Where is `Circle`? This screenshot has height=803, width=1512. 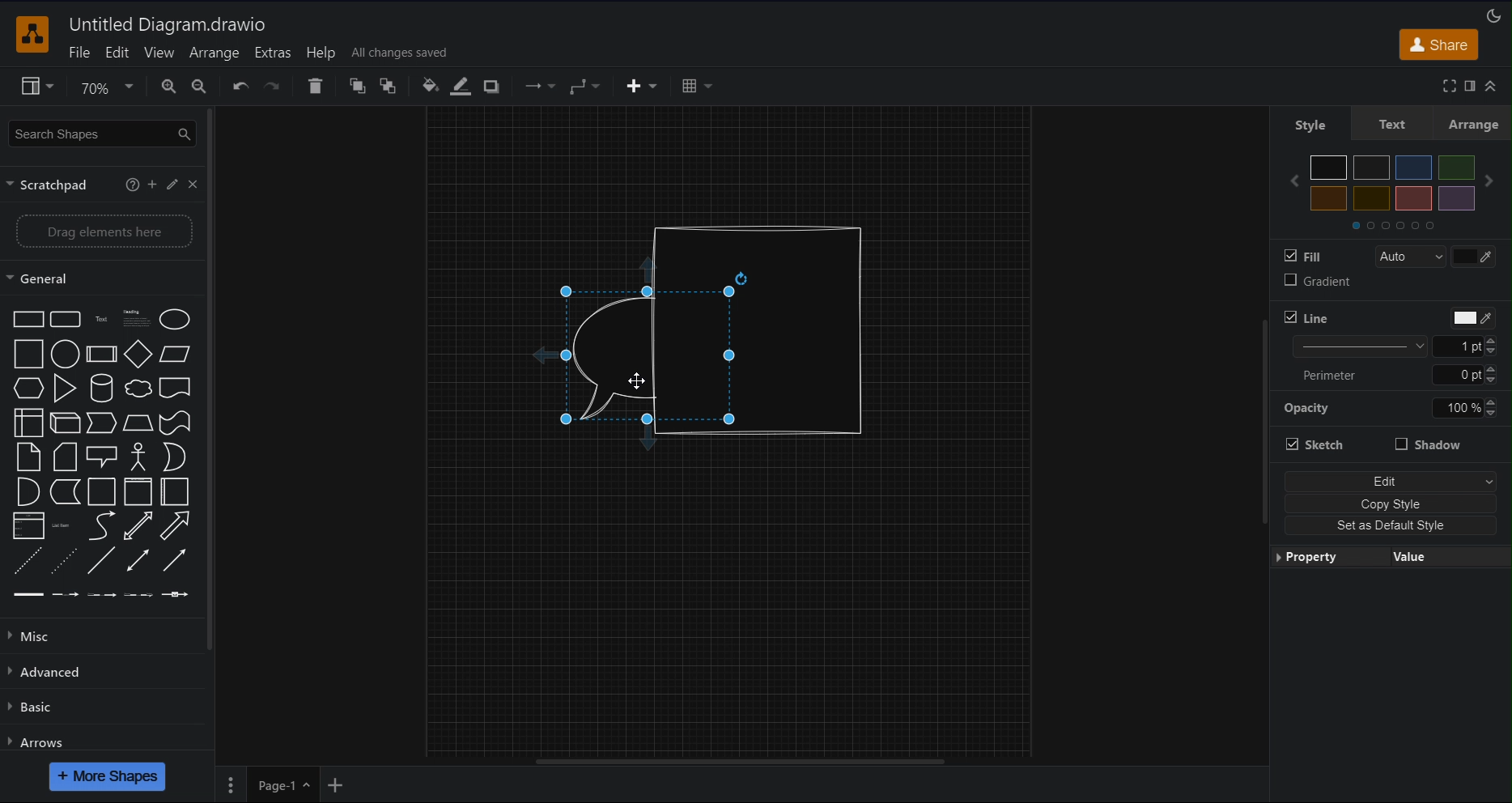
Circle is located at coordinates (66, 354).